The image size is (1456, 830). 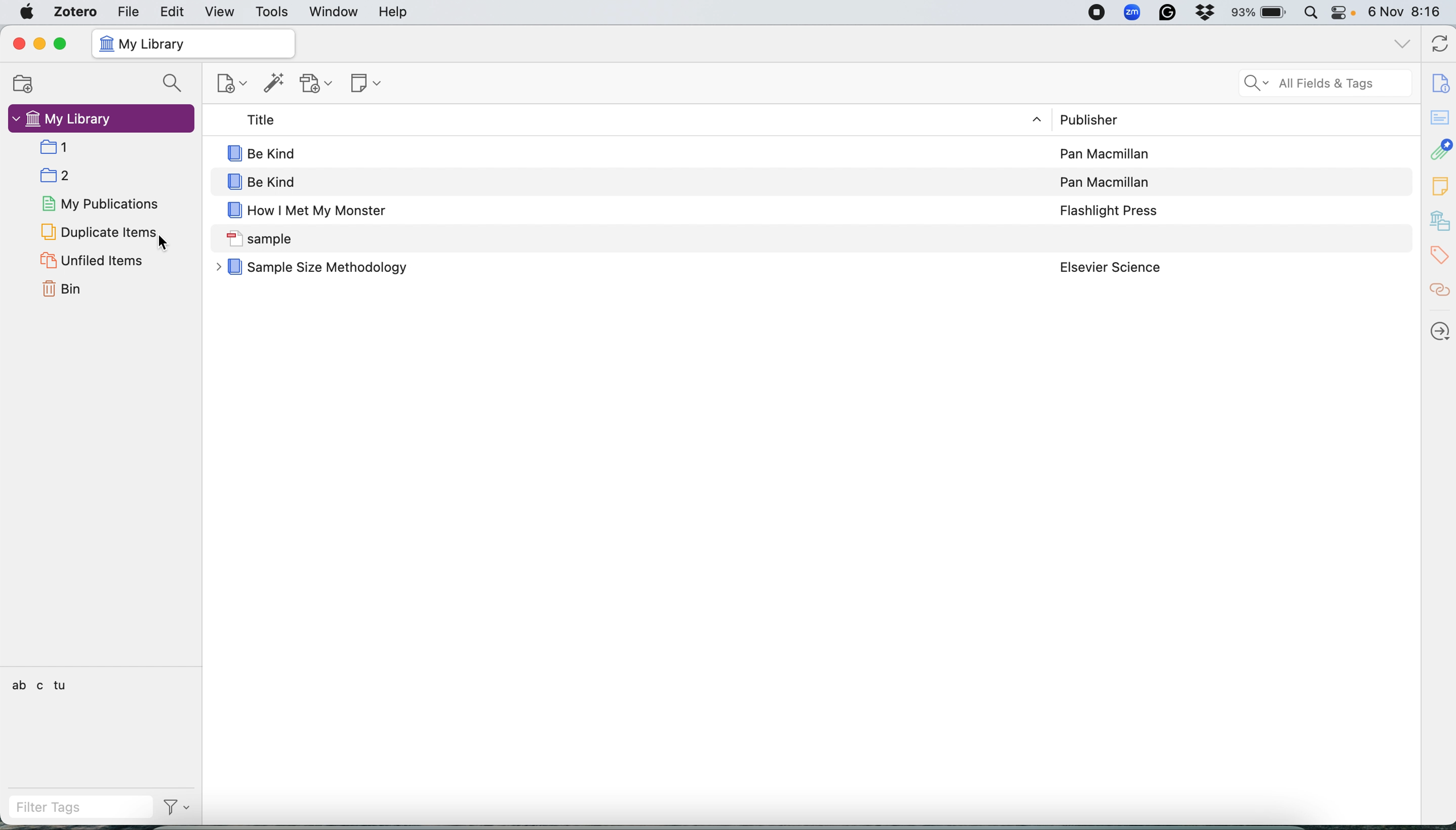 What do you see at coordinates (1441, 328) in the screenshot?
I see `locate` at bounding box center [1441, 328].